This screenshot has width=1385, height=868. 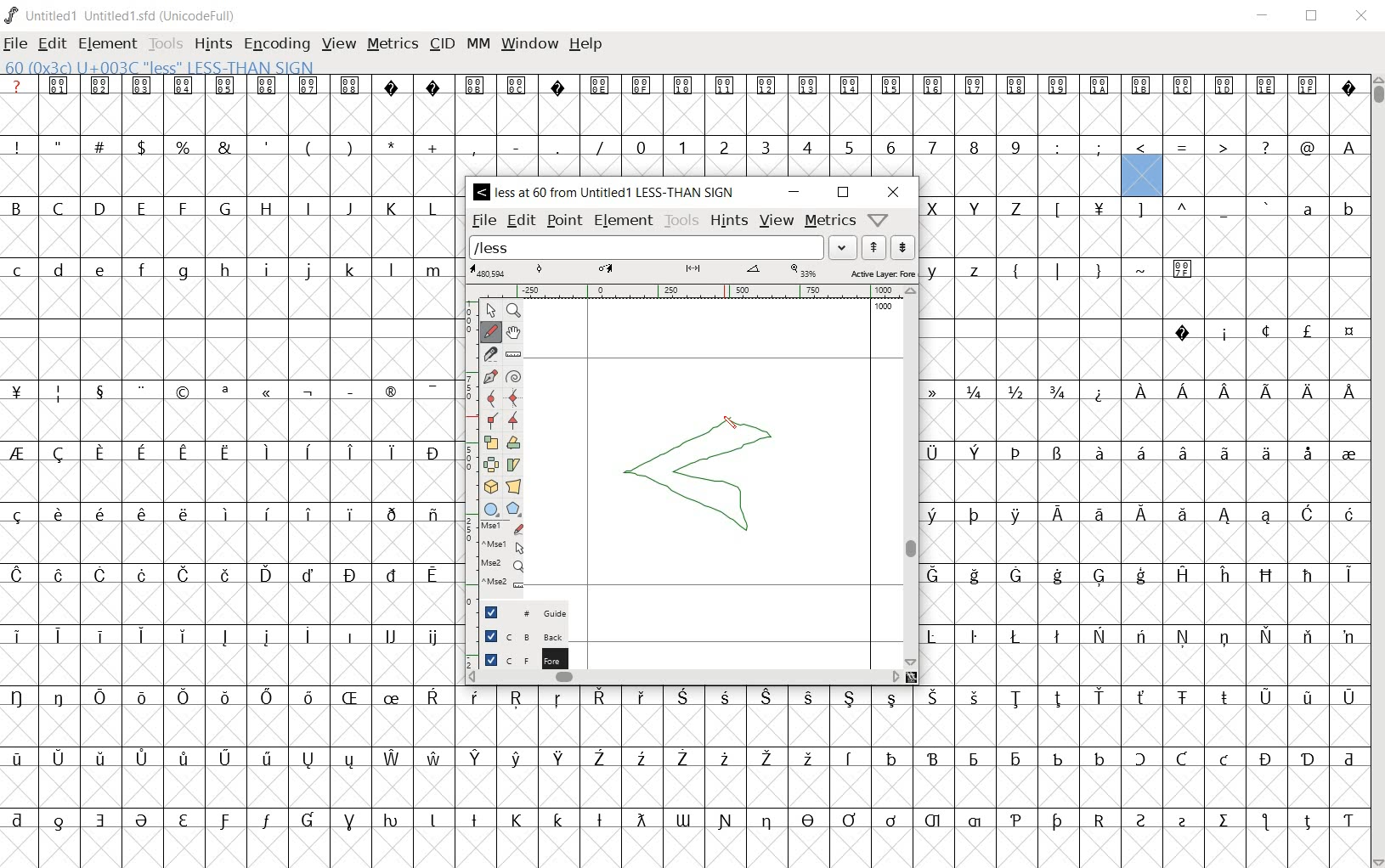 What do you see at coordinates (683, 726) in the screenshot?
I see `empty cells` at bounding box center [683, 726].